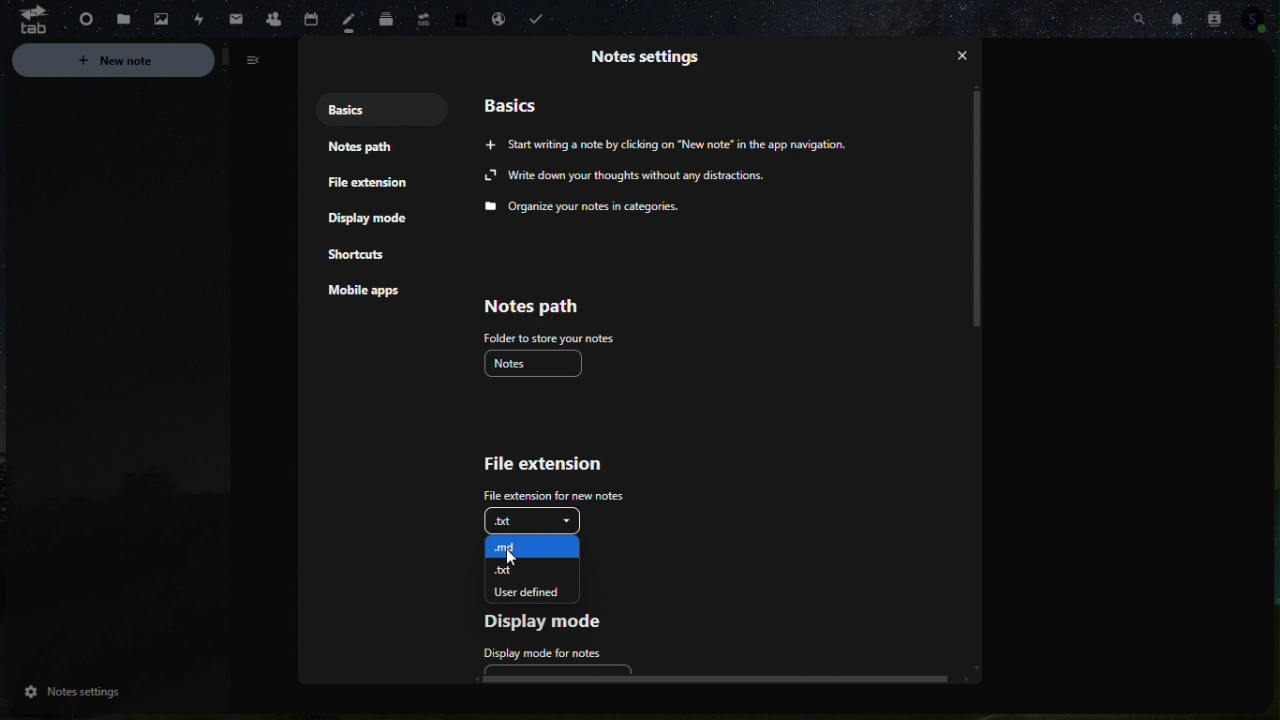 Image resolution: width=1280 pixels, height=720 pixels. What do you see at coordinates (669, 143) in the screenshot?
I see `‘Start writing a note by clicking on “New note” in the app navigation.` at bounding box center [669, 143].